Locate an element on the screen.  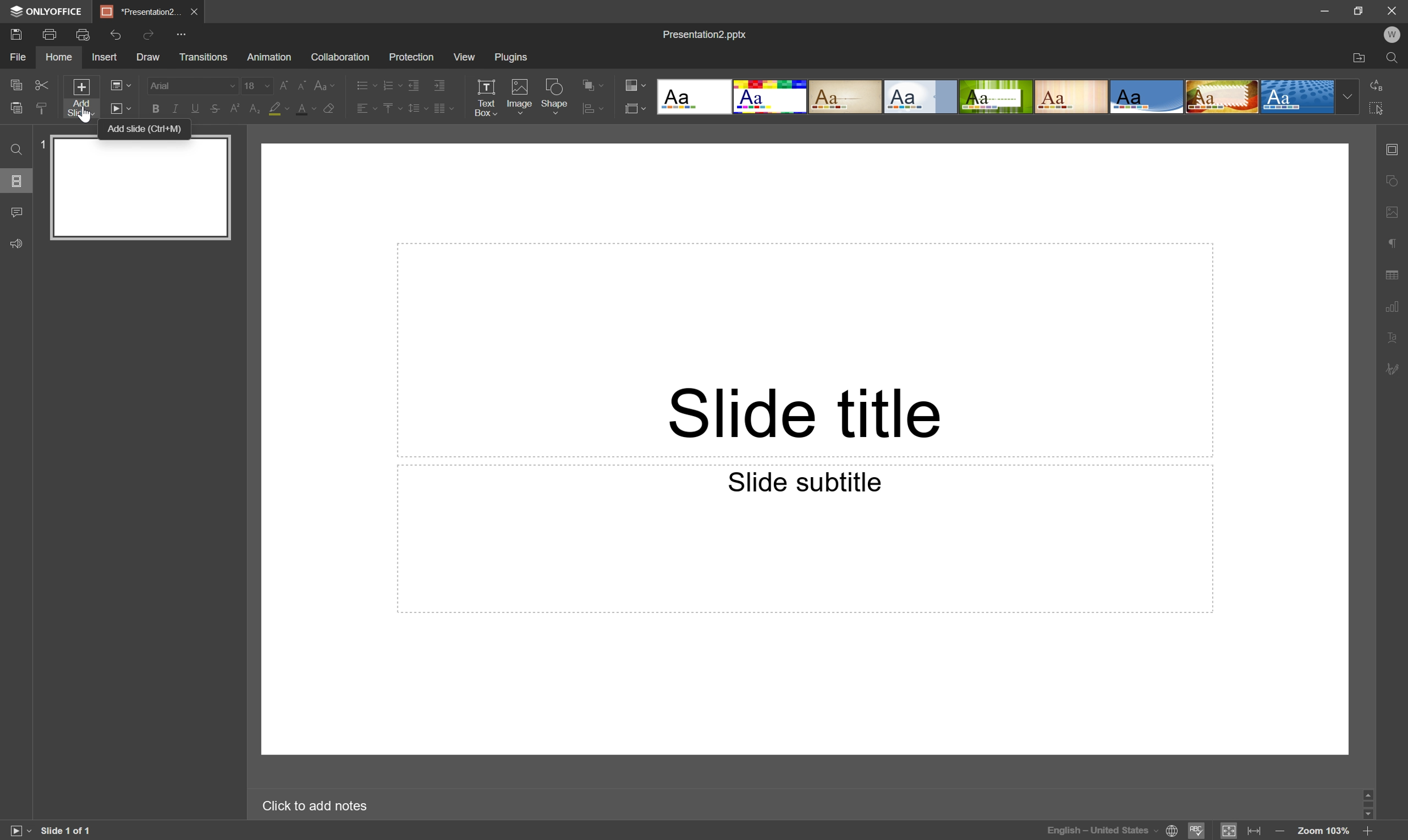
Change case is located at coordinates (327, 83).